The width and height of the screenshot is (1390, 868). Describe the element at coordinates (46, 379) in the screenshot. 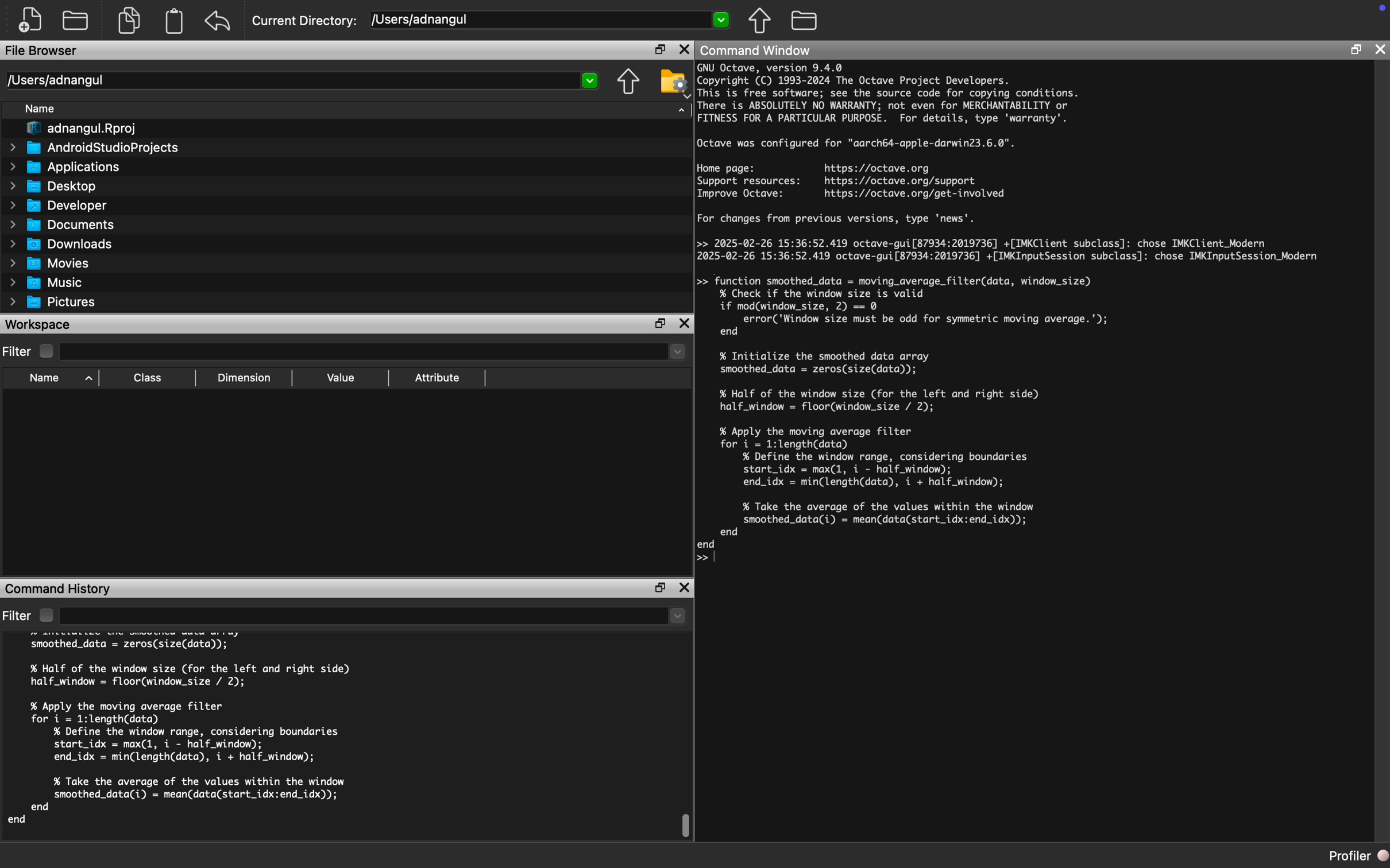

I see `Name` at that location.